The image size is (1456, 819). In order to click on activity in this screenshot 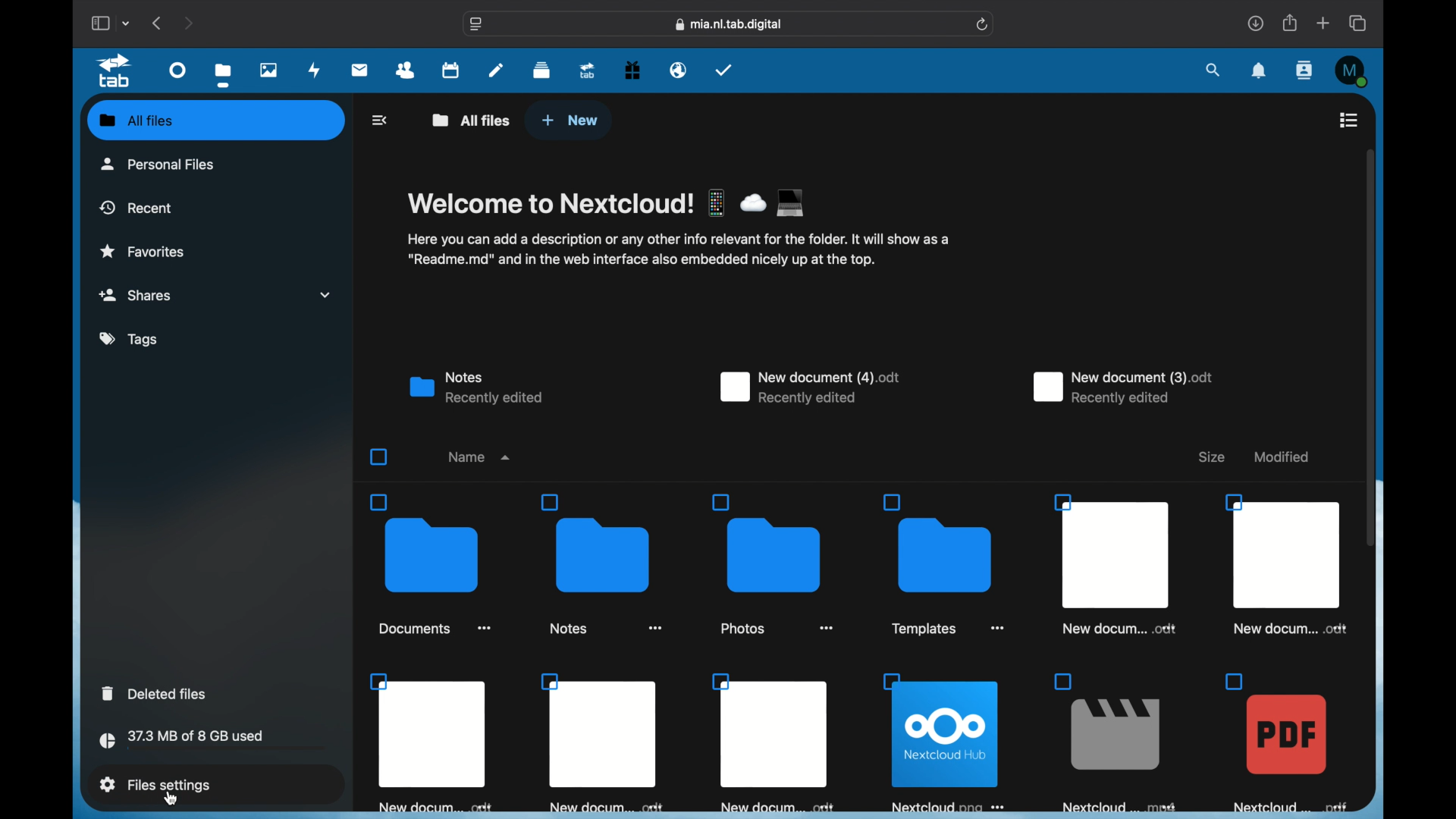, I will do `click(315, 70)`.